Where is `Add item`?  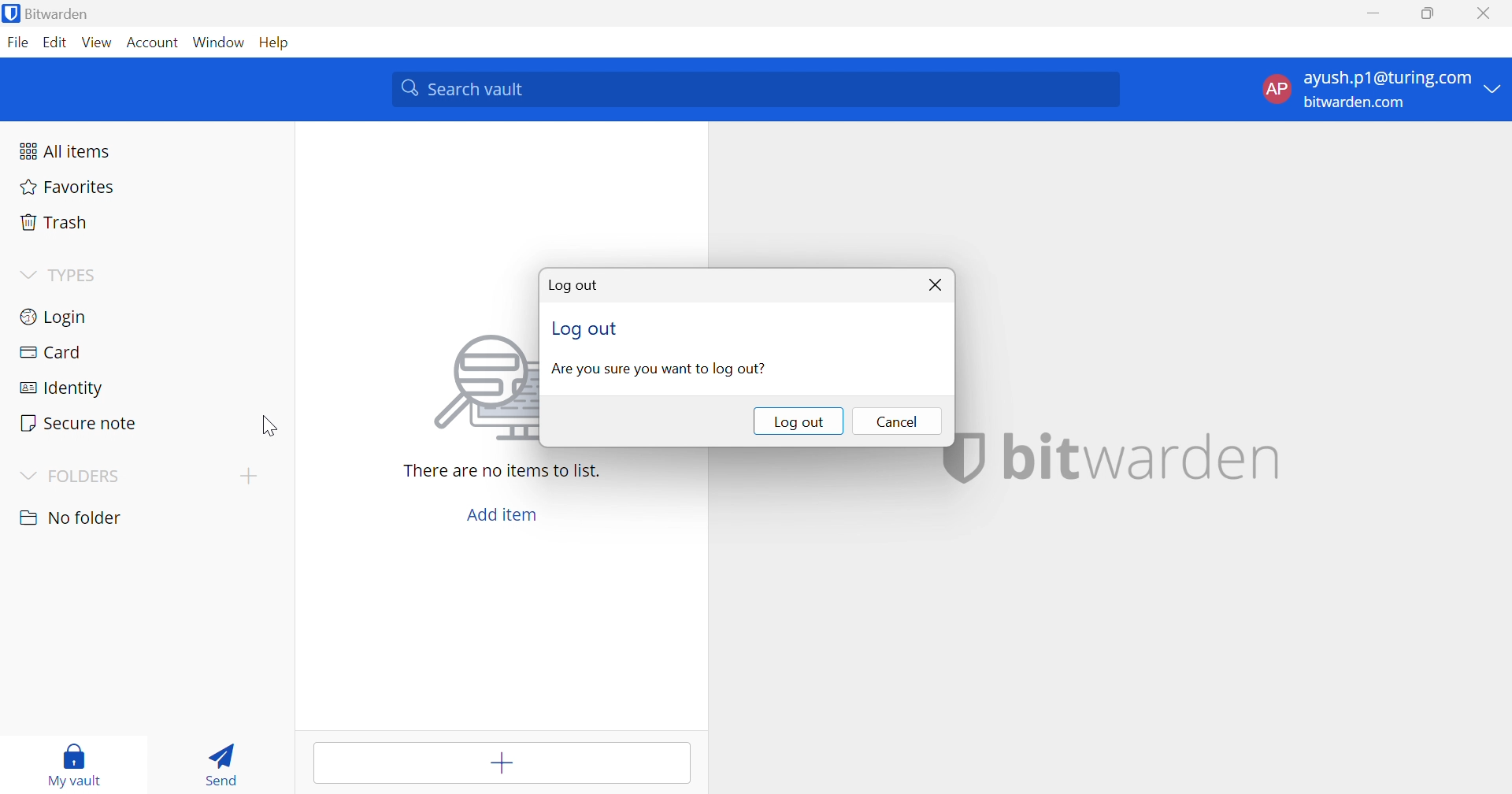
Add item is located at coordinates (502, 517).